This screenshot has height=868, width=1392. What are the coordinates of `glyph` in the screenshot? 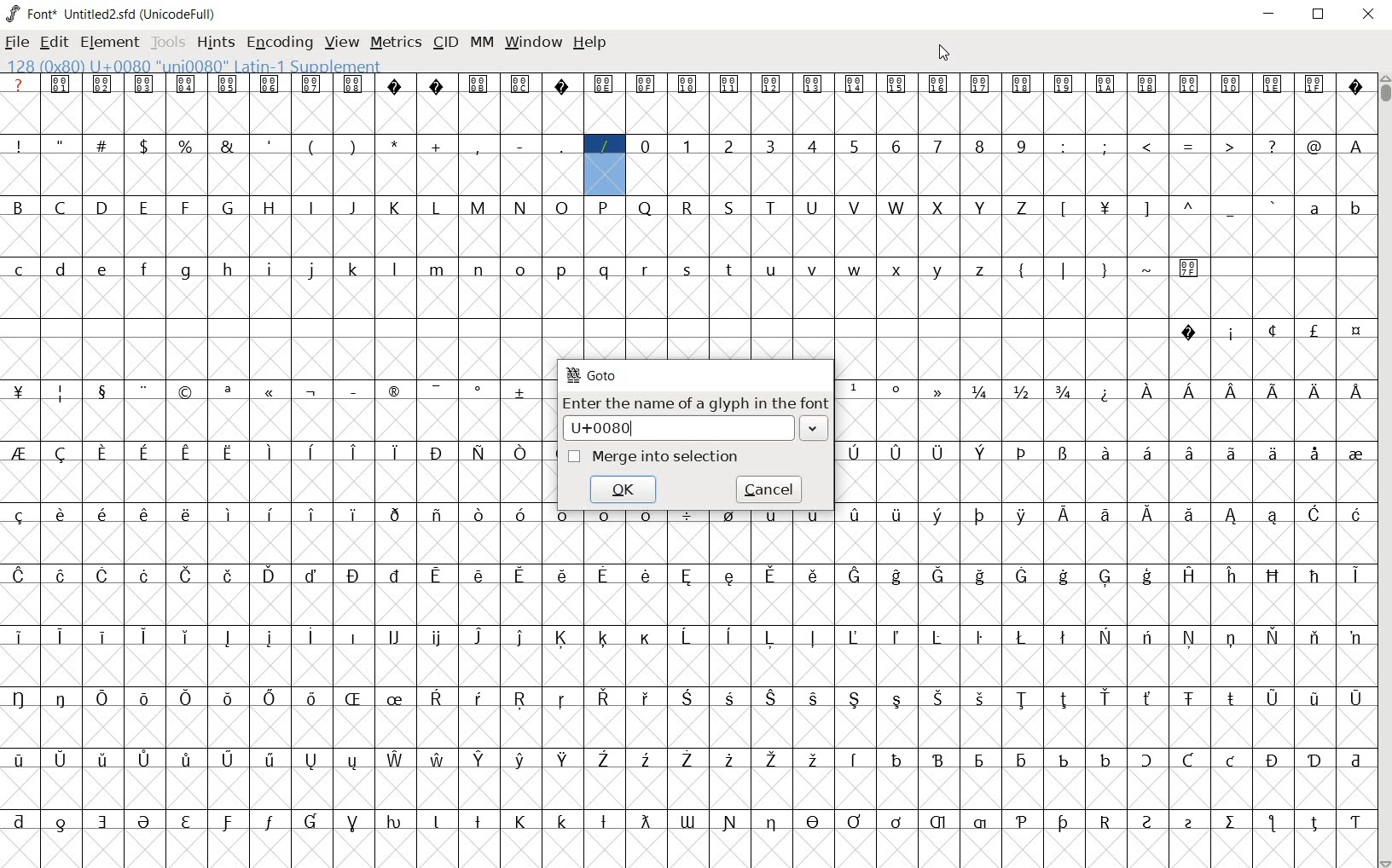 It's located at (143, 637).